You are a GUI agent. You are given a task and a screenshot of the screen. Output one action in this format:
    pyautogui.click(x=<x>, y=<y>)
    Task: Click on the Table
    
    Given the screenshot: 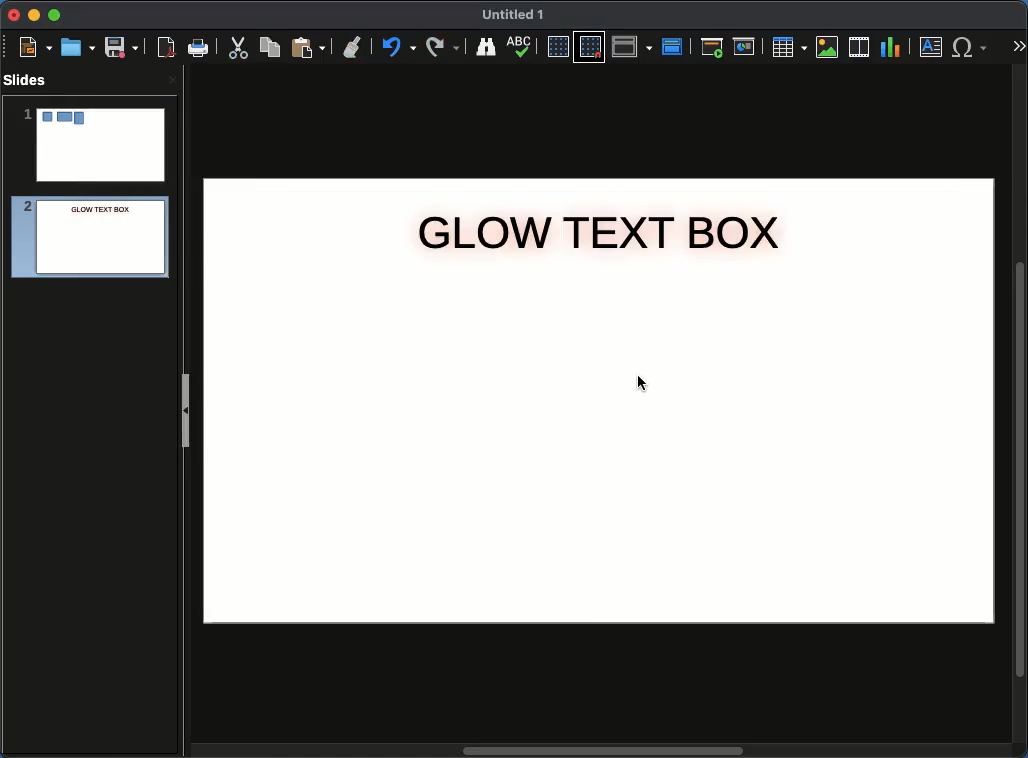 What is the action you would take?
    pyautogui.click(x=788, y=46)
    